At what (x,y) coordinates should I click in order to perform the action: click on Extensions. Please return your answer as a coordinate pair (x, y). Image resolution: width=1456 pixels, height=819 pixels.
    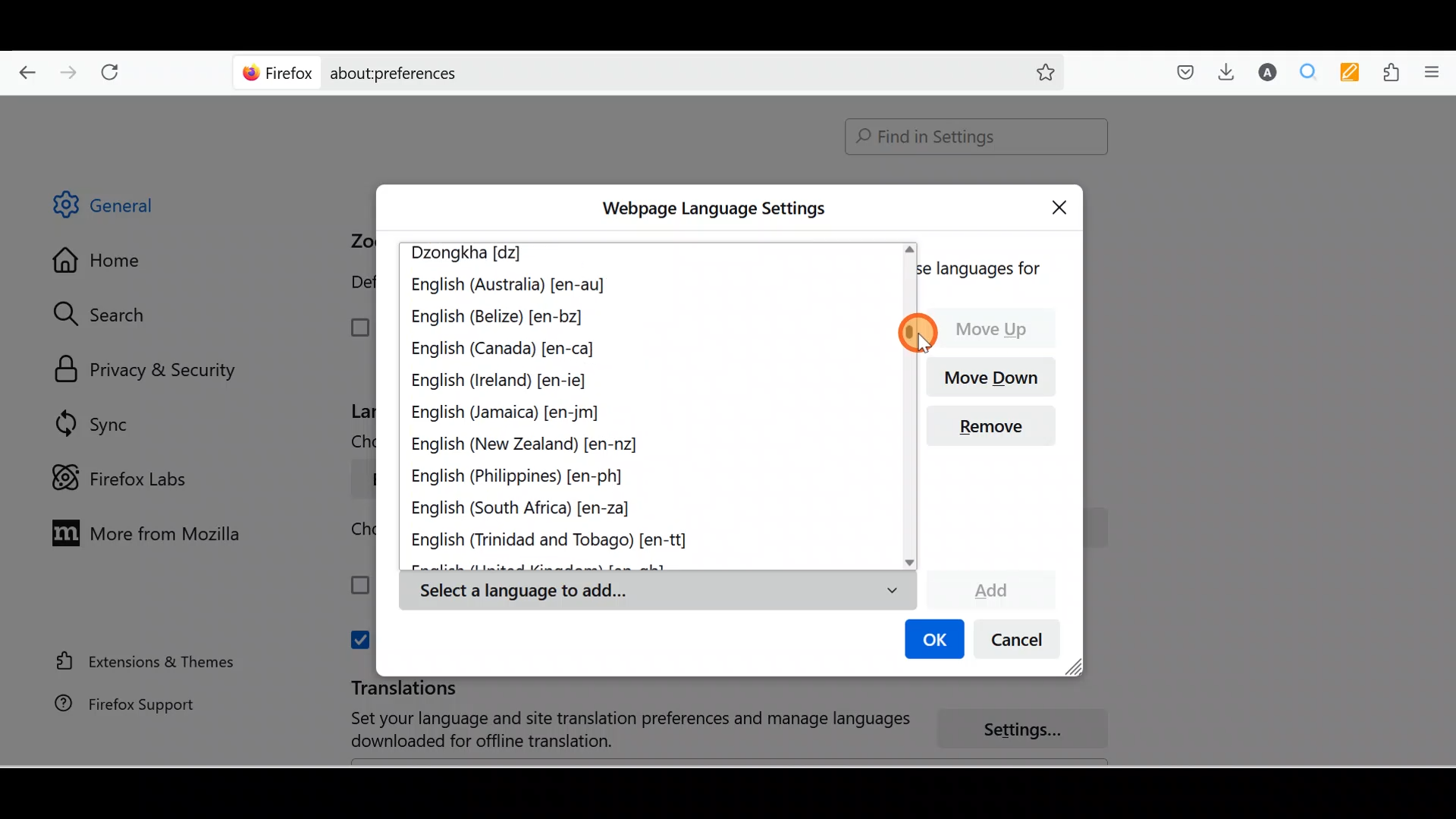
    Looking at the image, I should click on (1395, 73).